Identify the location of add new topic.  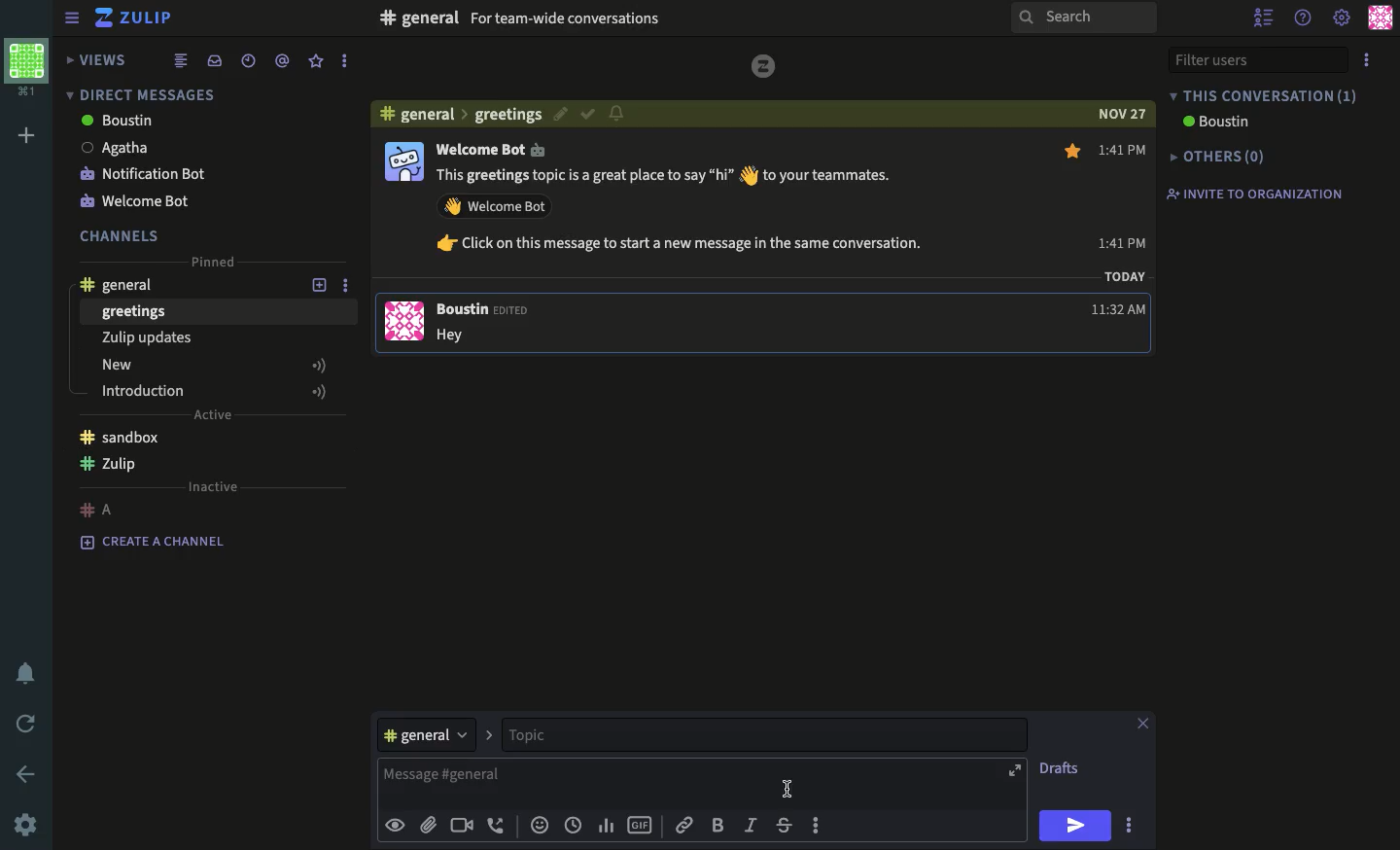
(320, 287).